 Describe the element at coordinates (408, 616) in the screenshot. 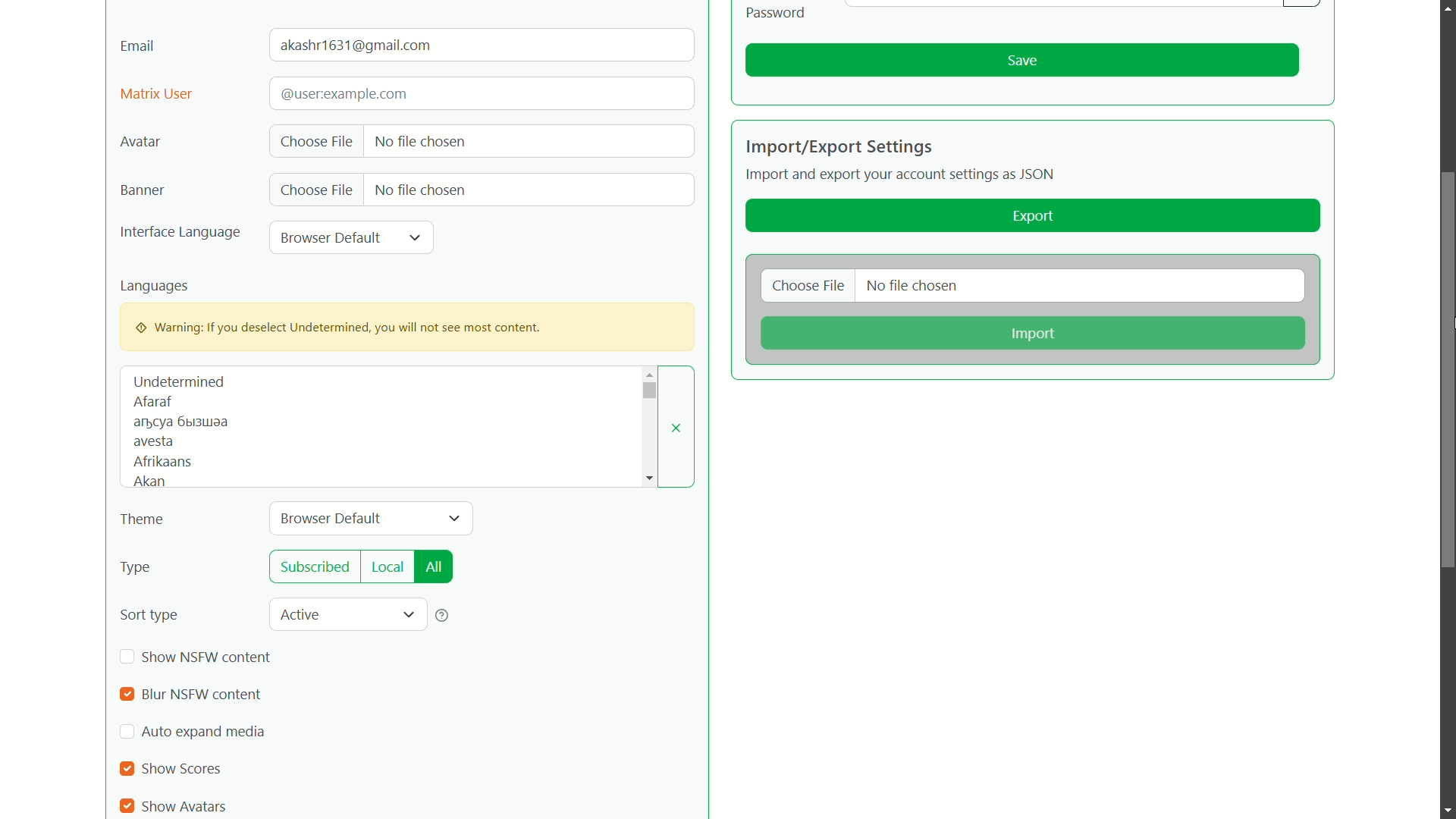

I see `dropdown` at that location.